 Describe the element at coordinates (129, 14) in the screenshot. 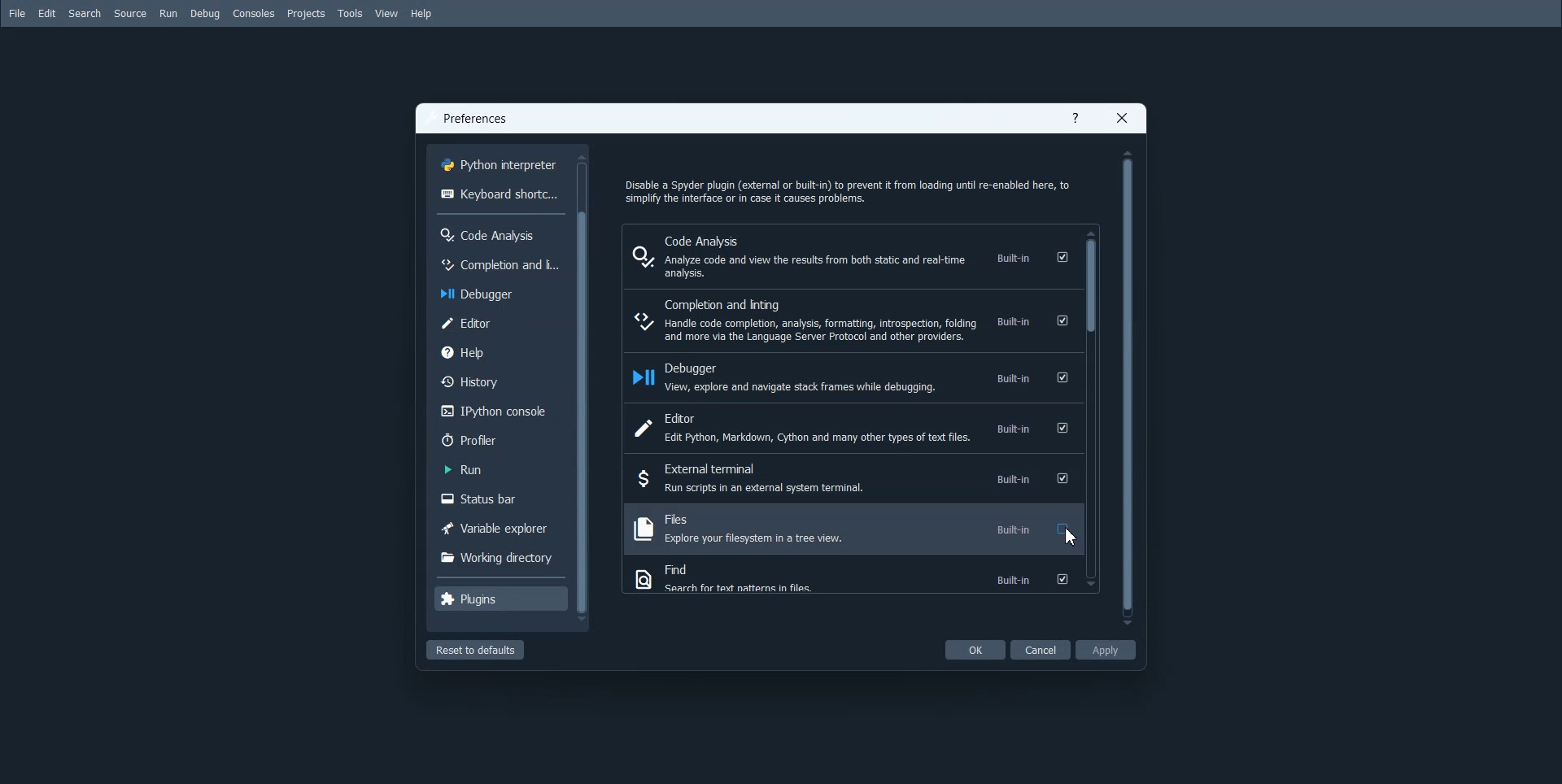

I see `Source` at that location.